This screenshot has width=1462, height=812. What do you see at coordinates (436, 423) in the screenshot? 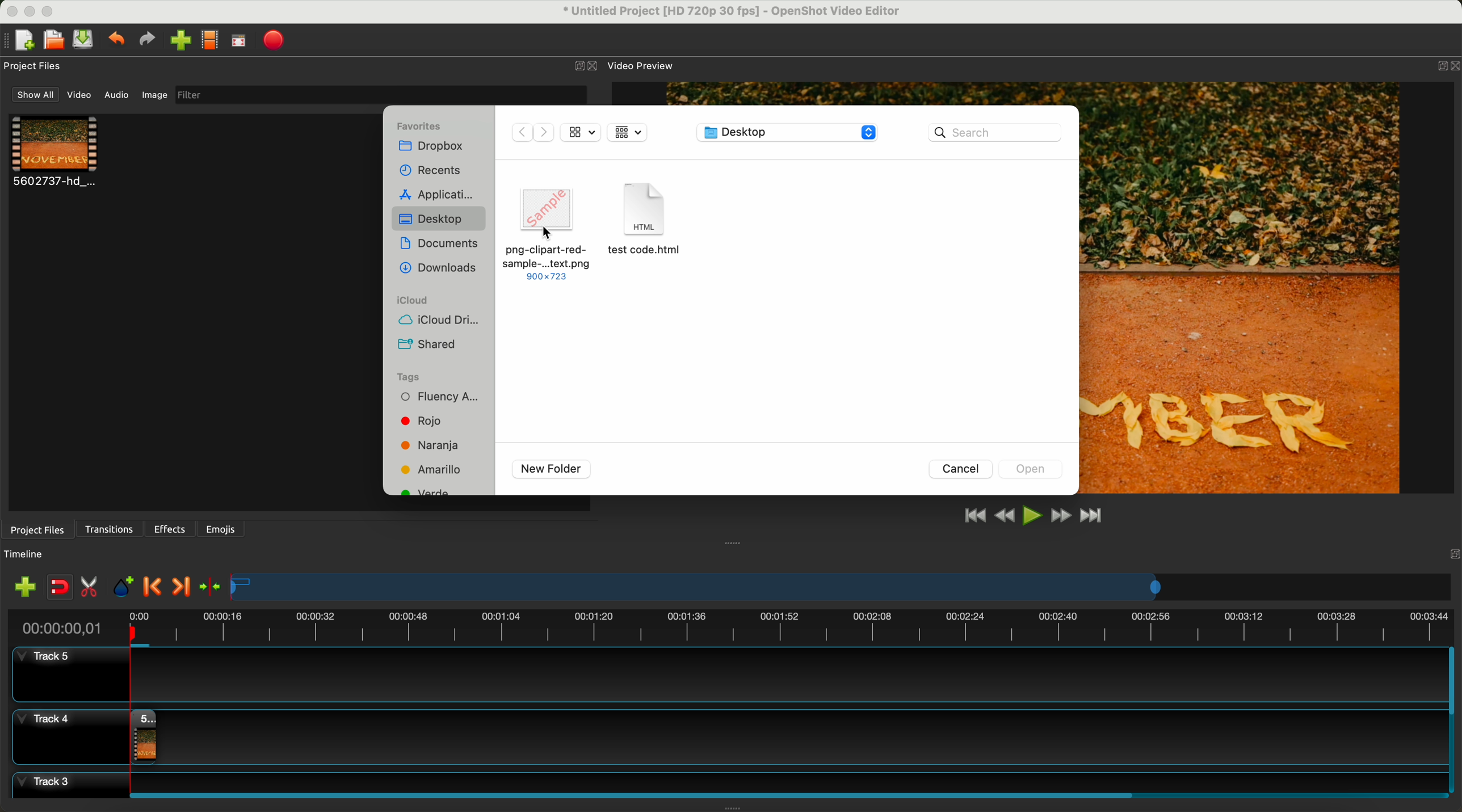
I see `Rajo` at bounding box center [436, 423].